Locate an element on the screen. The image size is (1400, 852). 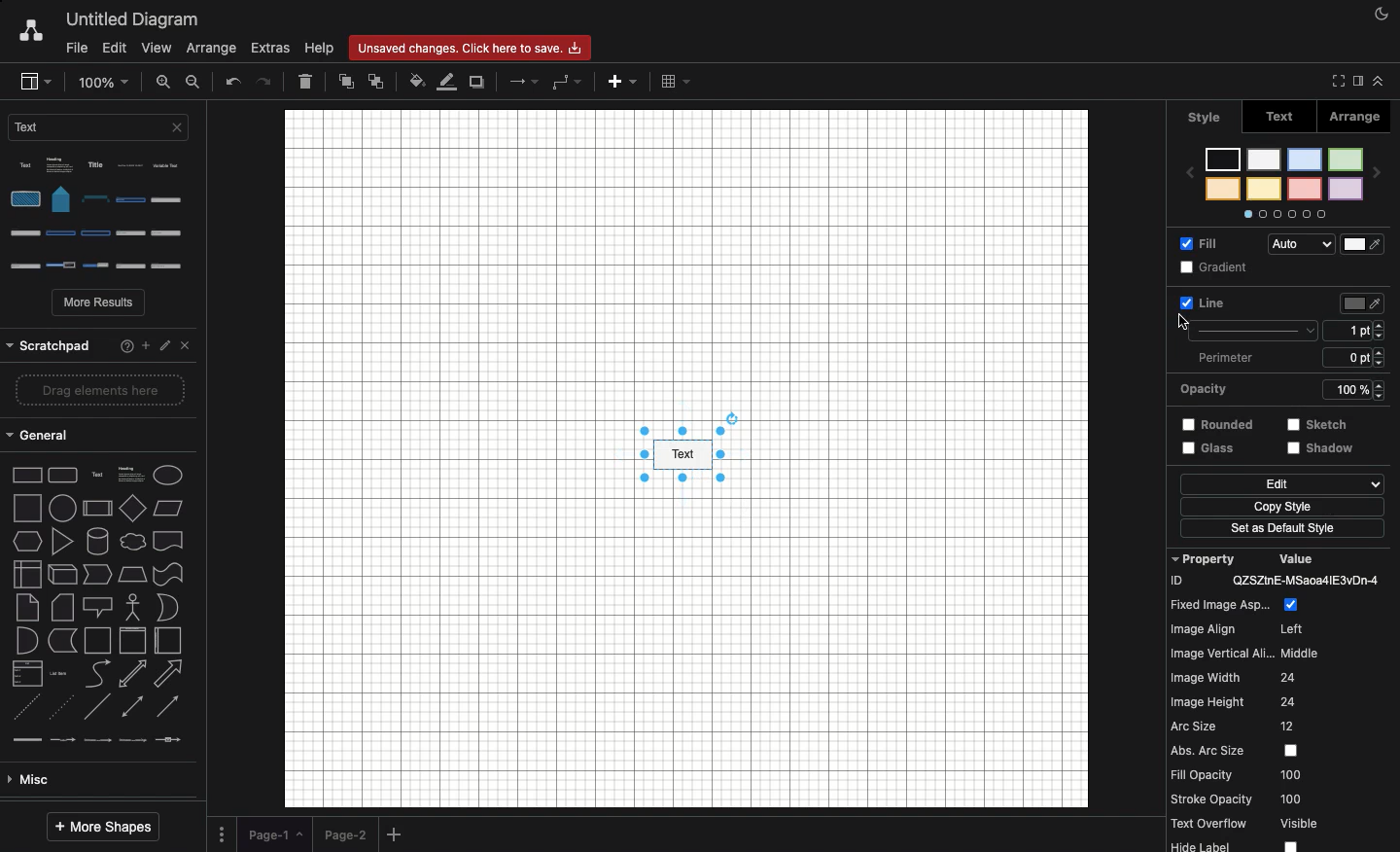
Night  is located at coordinates (1382, 13).